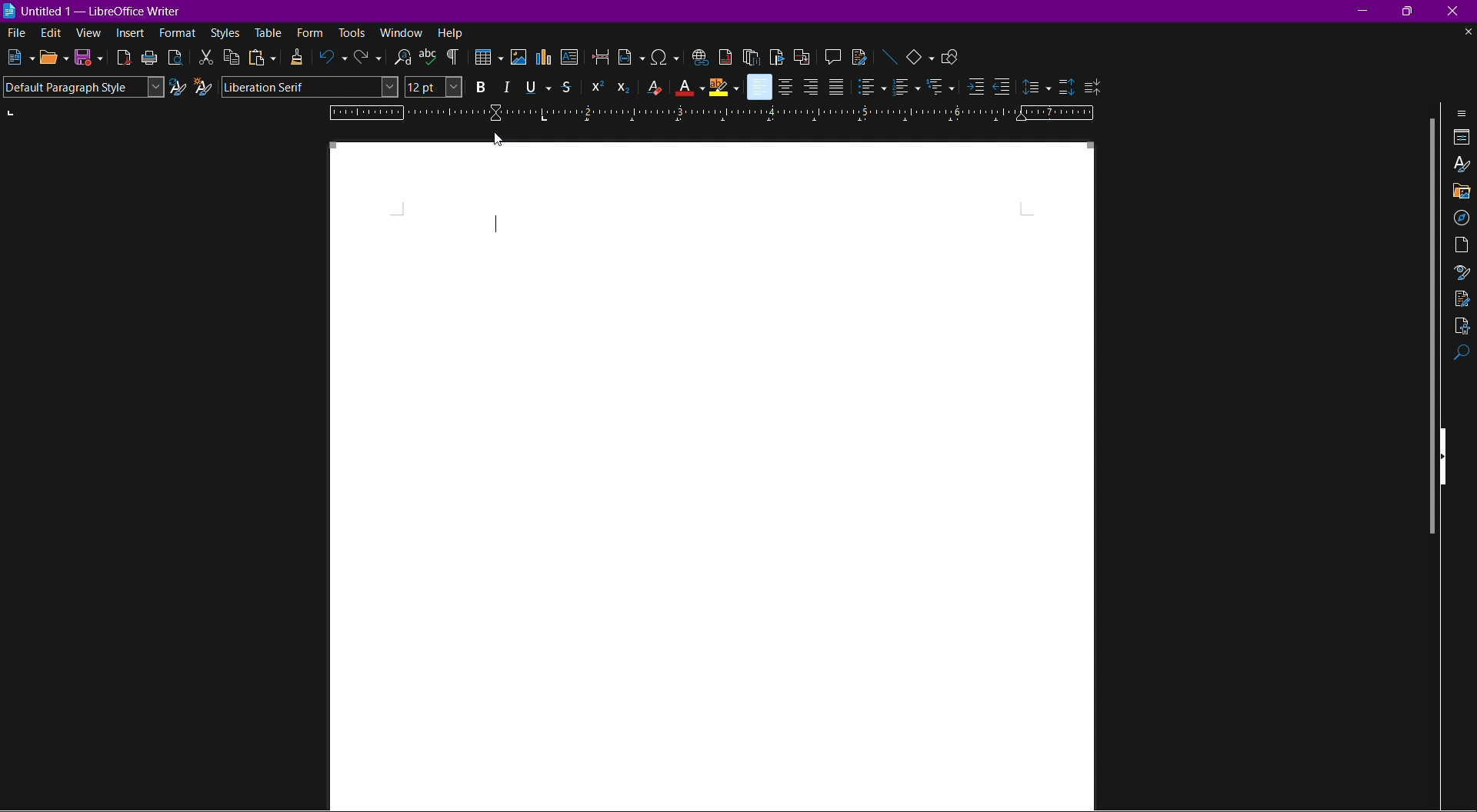 Image resolution: width=1477 pixels, height=812 pixels. Describe the element at coordinates (478, 87) in the screenshot. I see `Bold` at that location.